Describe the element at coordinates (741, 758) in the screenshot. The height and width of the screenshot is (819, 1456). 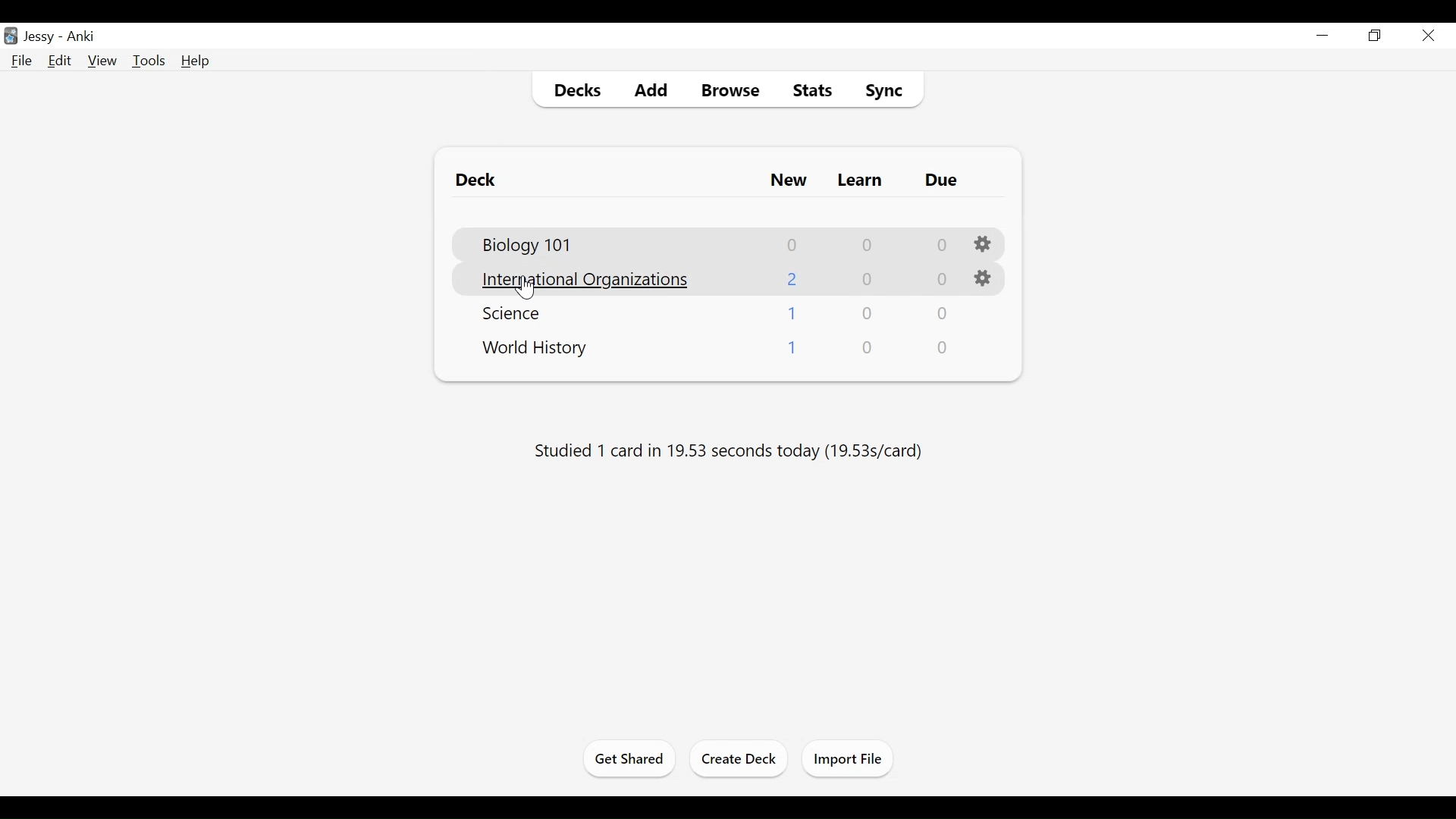
I see `Create Deck` at that location.